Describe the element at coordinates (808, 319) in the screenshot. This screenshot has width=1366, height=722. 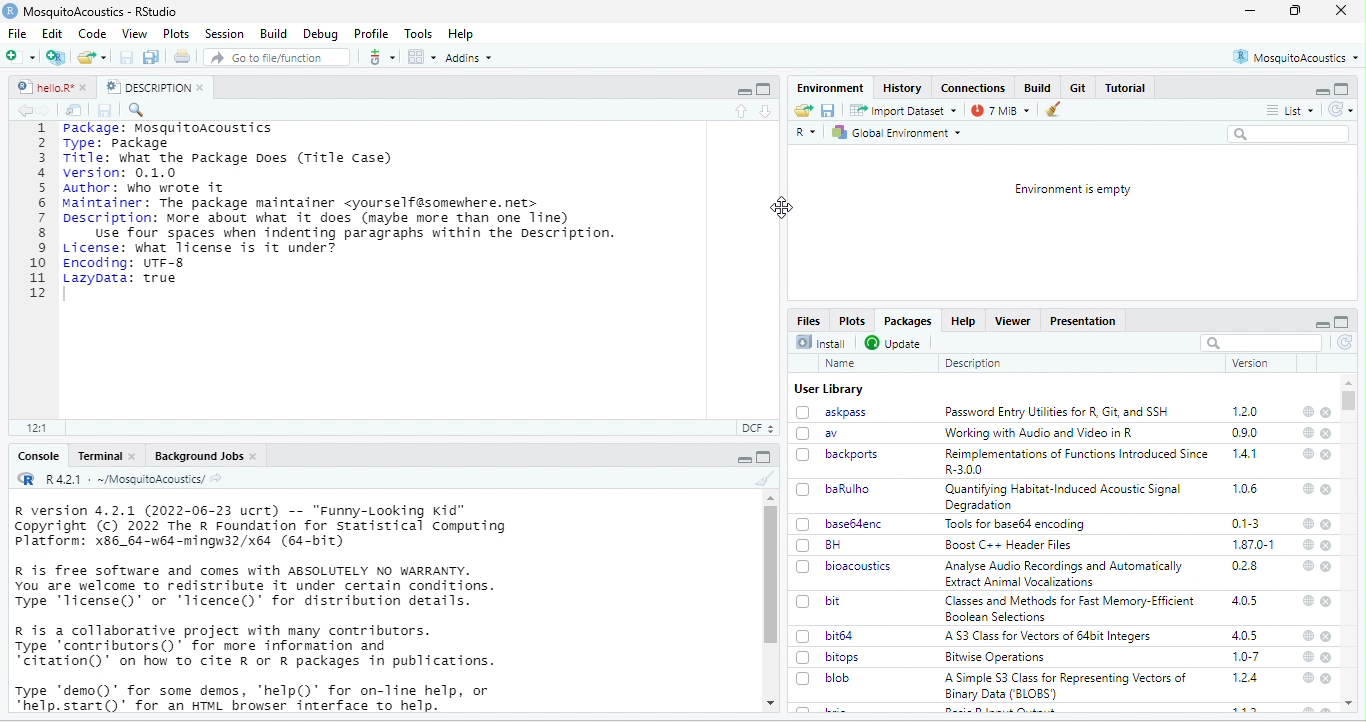
I see `Files` at that location.